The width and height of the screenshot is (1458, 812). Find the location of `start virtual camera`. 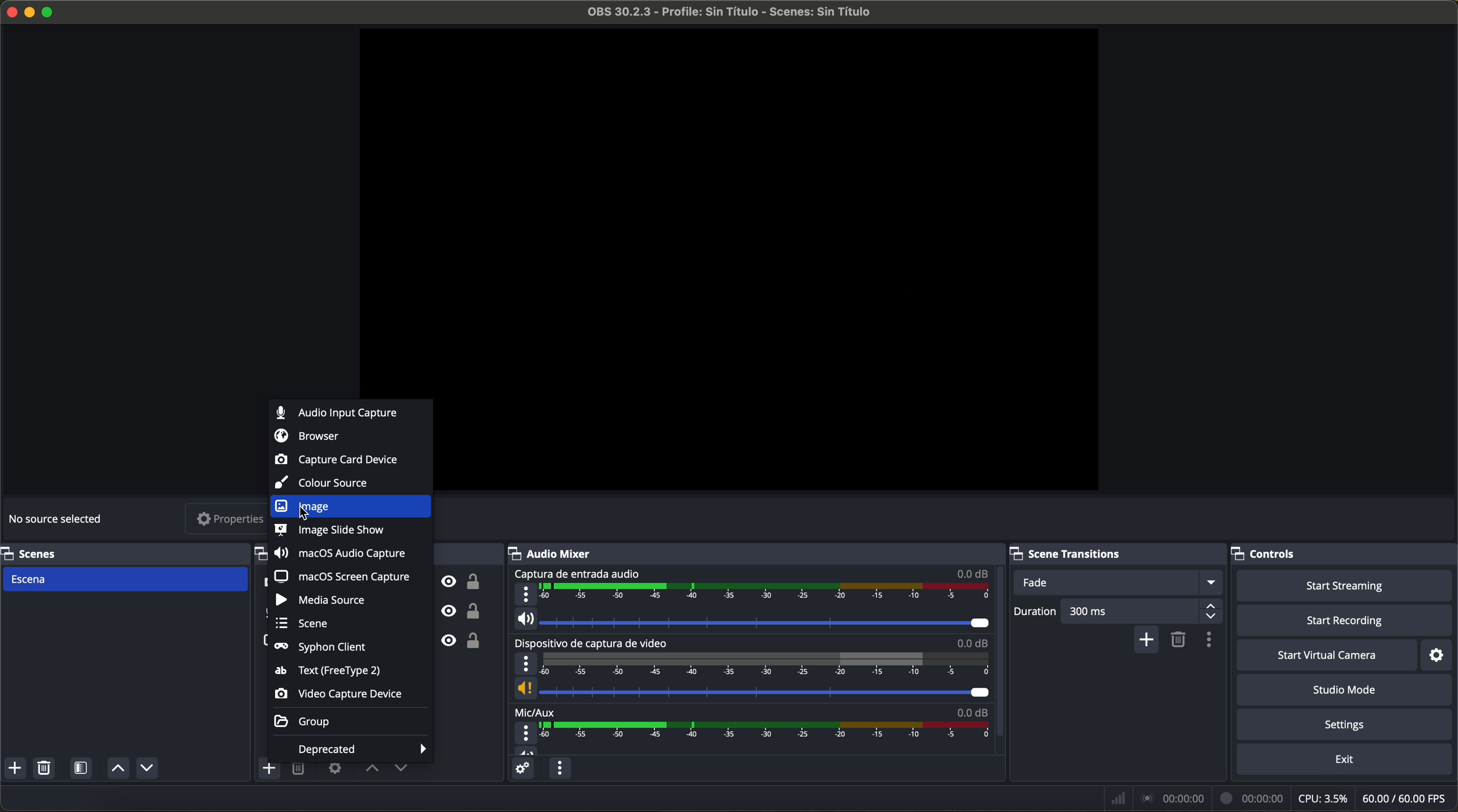

start virtual camera is located at coordinates (1327, 655).